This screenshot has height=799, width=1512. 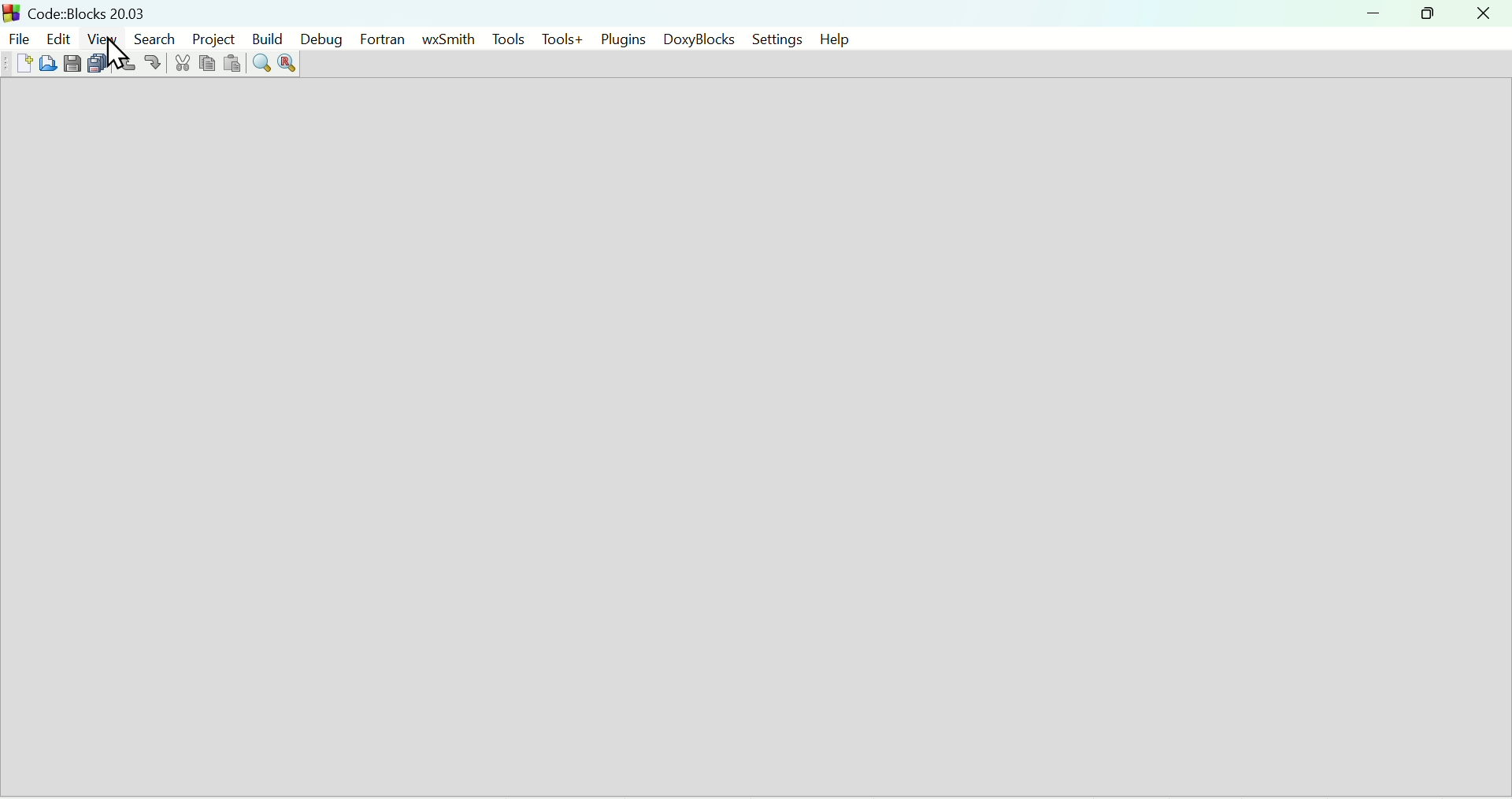 What do you see at coordinates (204, 65) in the screenshot?
I see `Copy` at bounding box center [204, 65].